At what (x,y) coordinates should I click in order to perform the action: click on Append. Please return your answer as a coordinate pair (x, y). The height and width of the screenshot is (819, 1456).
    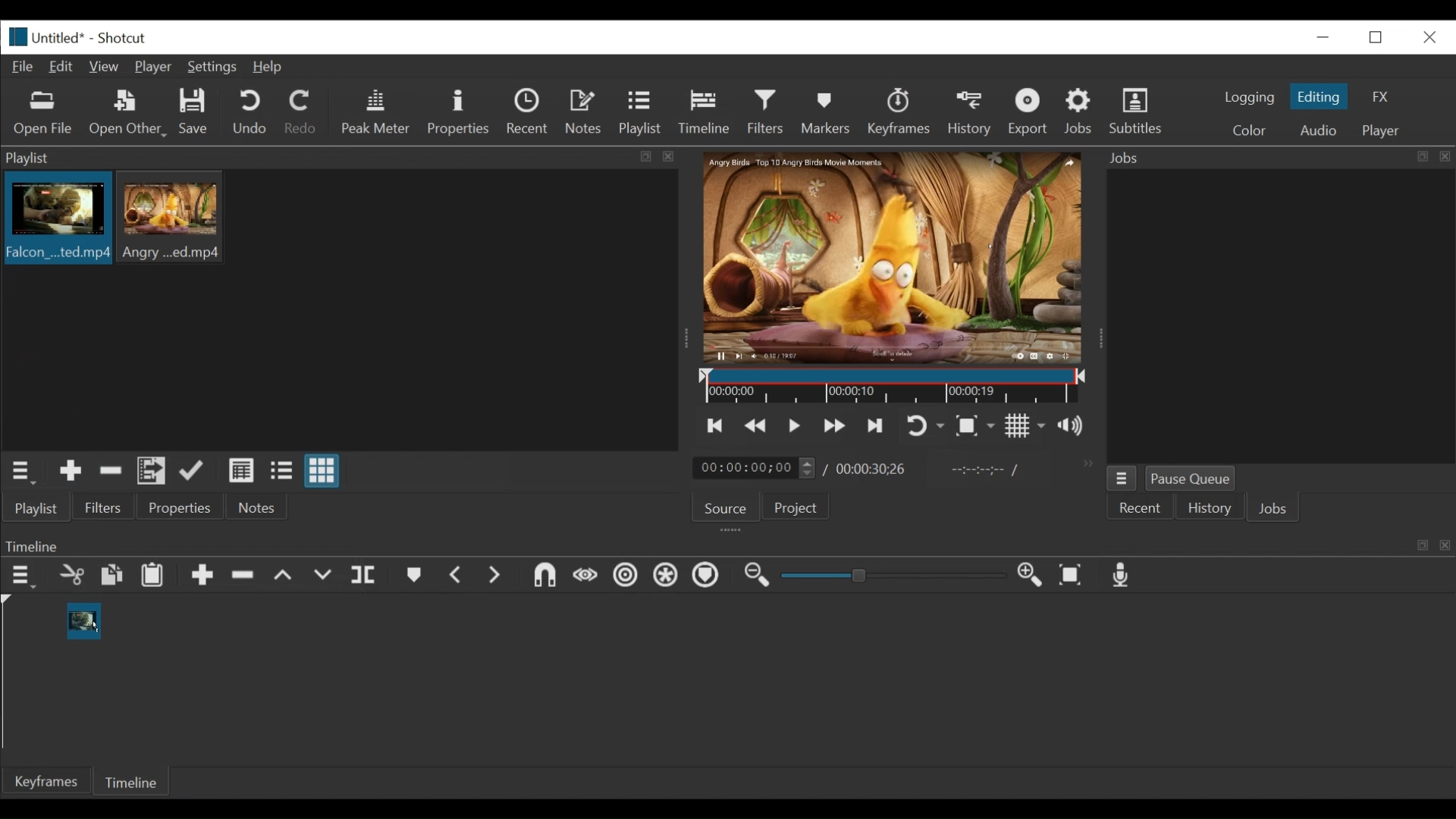
    Looking at the image, I should click on (202, 579).